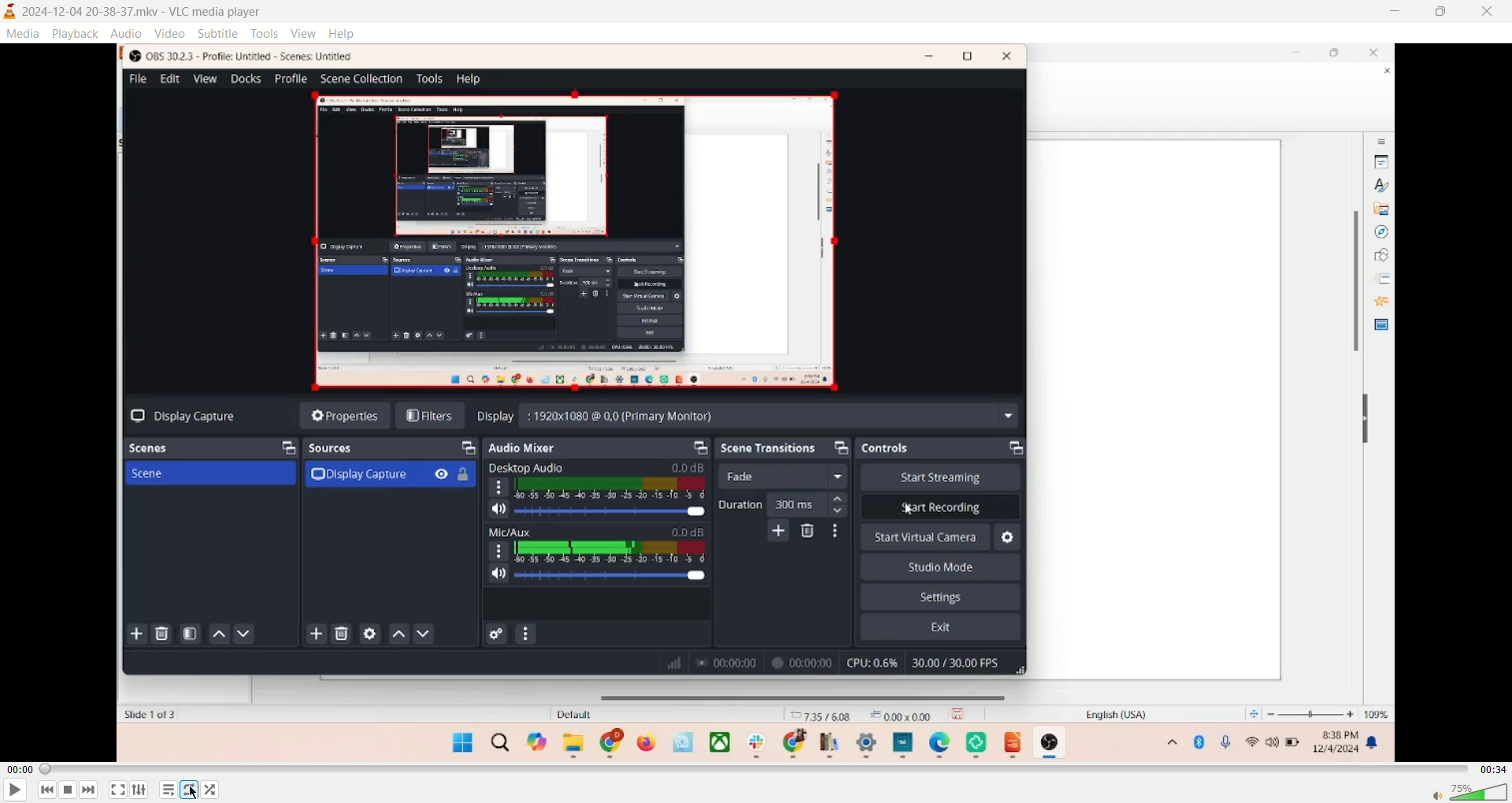  Describe the element at coordinates (757, 402) in the screenshot. I see `main screen` at that location.